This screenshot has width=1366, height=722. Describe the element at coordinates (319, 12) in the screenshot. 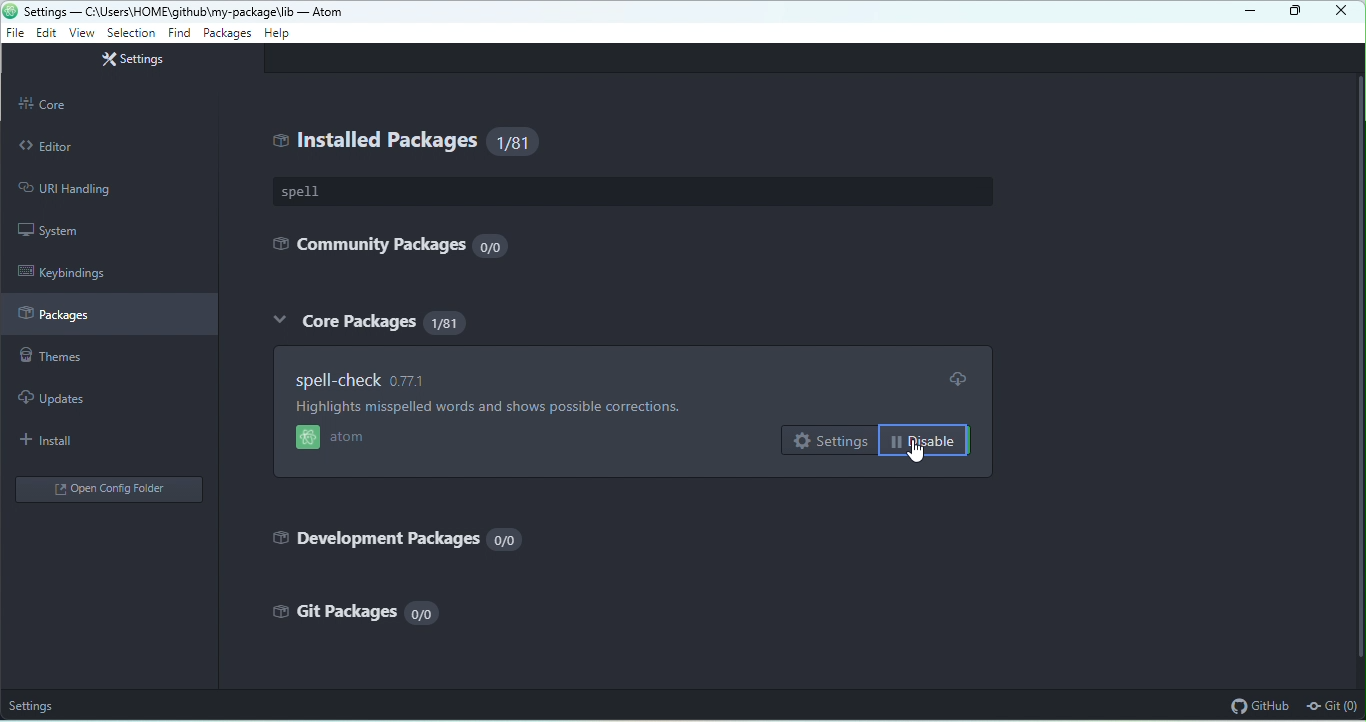

I see `- Atom` at that location.